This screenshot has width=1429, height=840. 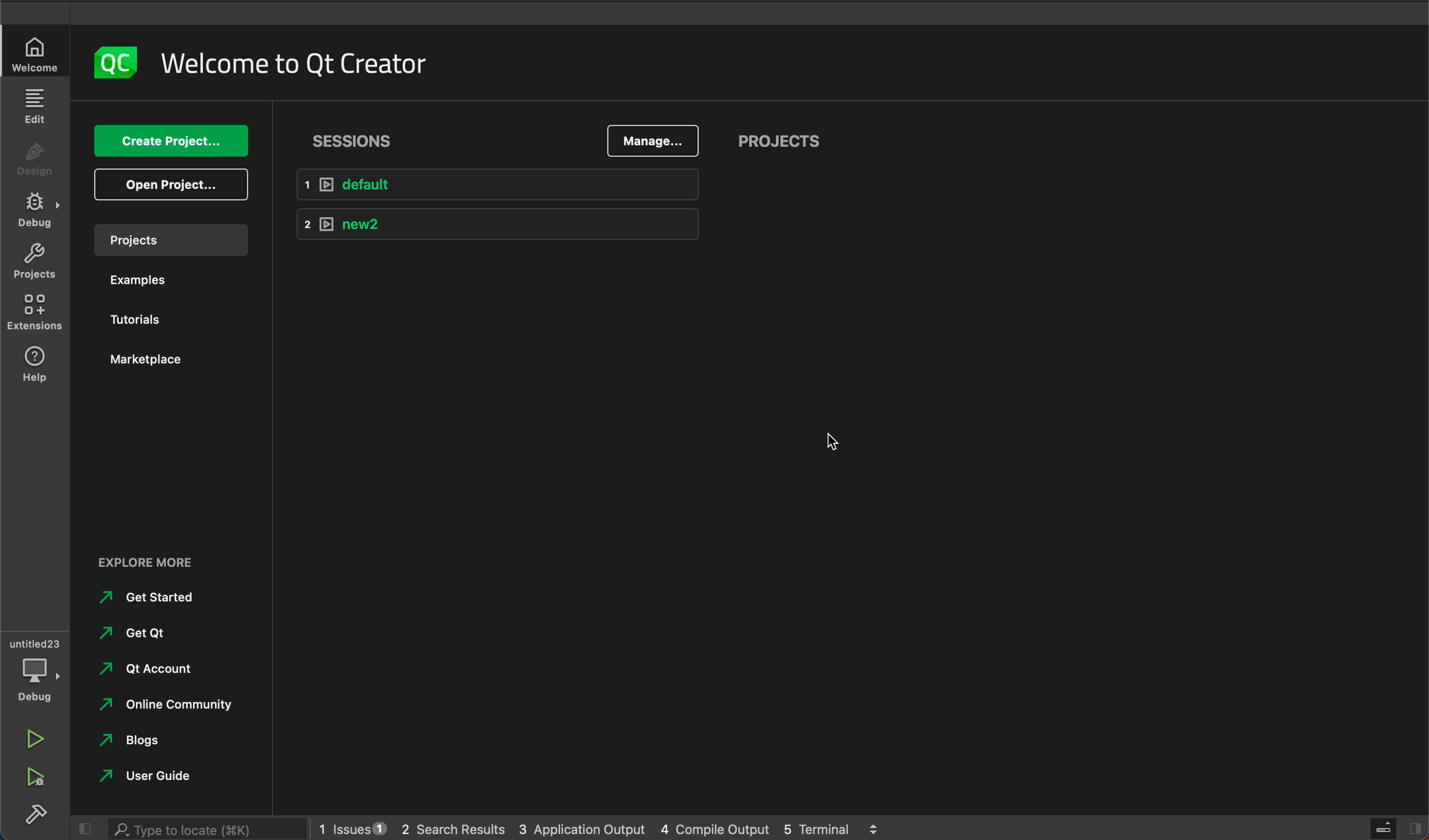 What do you see at coordinates (82, 829) in the screenshot?
I see `close slidebar` at bounding box center [82, 829].